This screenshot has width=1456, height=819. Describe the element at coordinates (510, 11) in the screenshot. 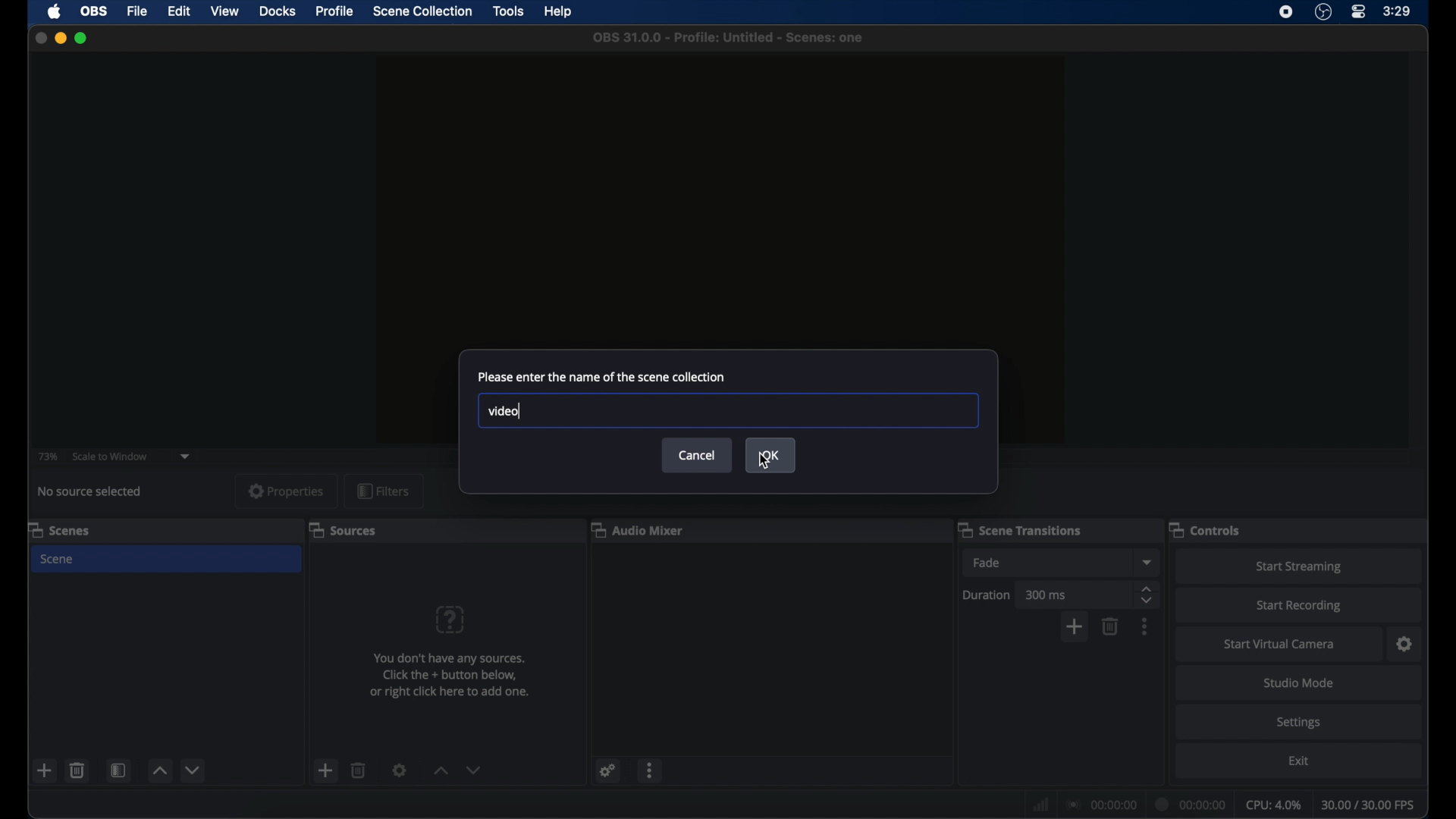

I see `tools` at that location.